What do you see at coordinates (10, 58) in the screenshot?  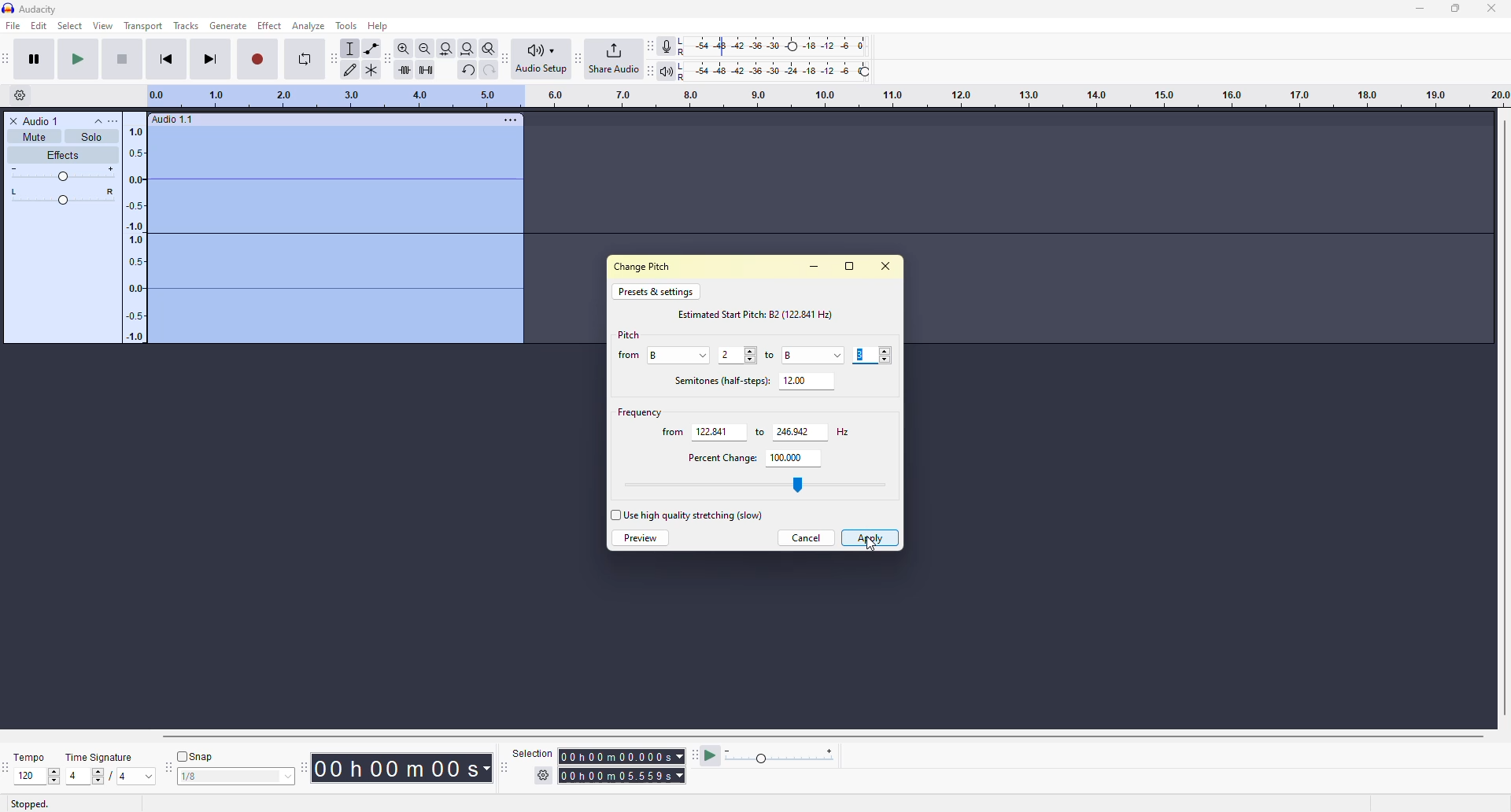 I see `transport toolbar` at bounding box center [10, 58].